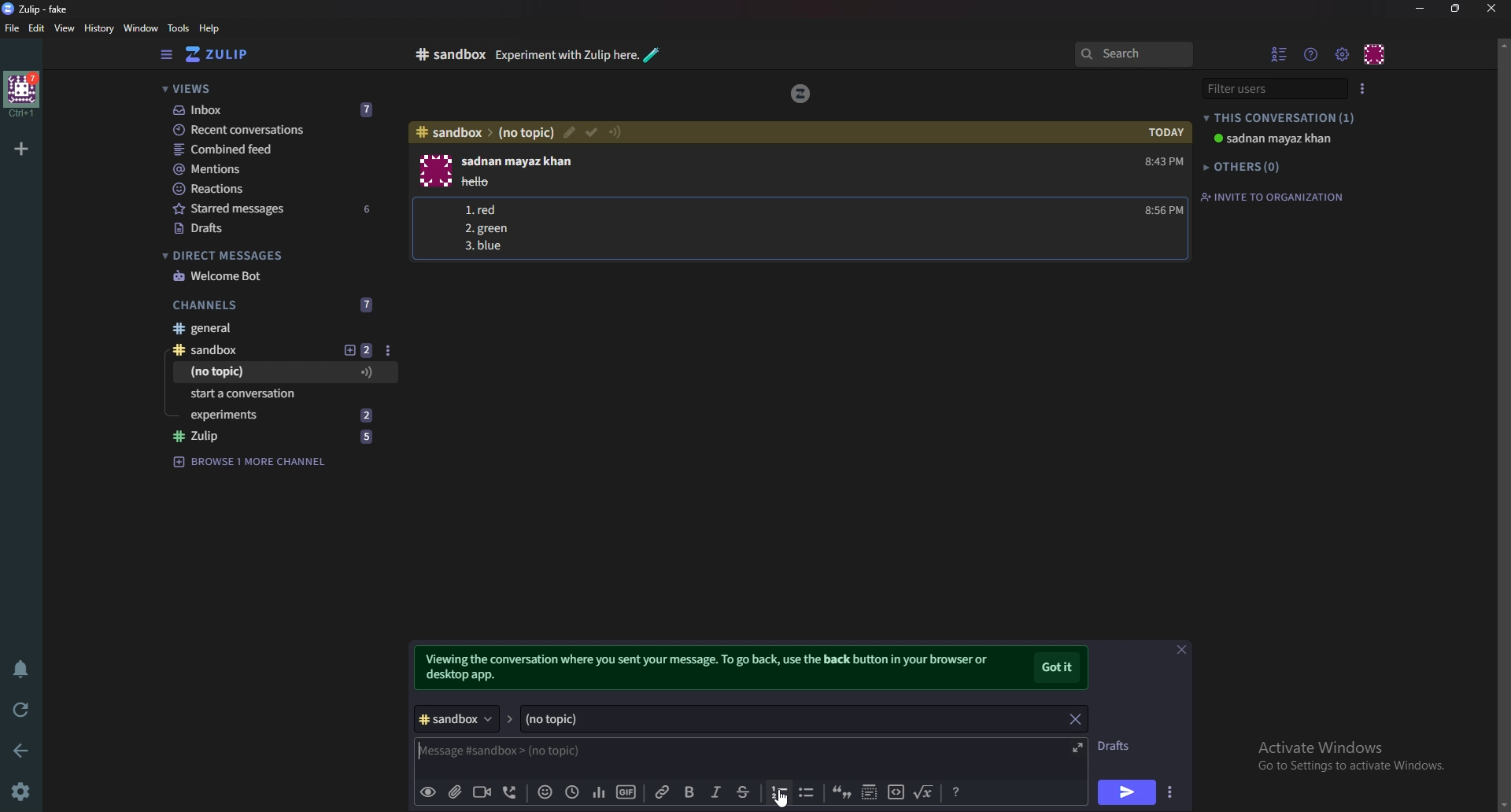  Describe the element at coordinates (98, 28) in the screenshot. I see `History` at that location.